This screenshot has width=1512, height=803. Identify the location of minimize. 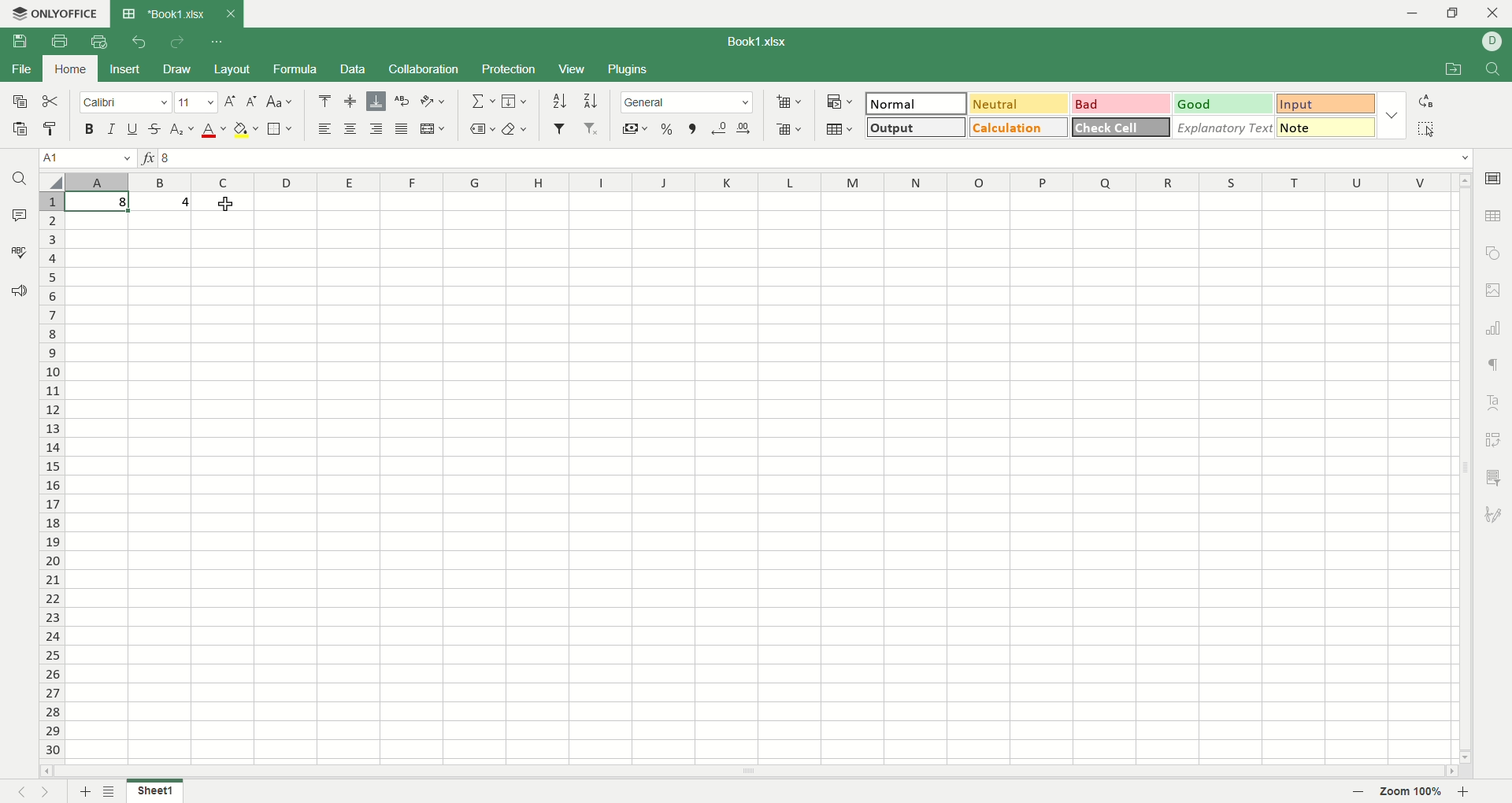
(1410, 15).